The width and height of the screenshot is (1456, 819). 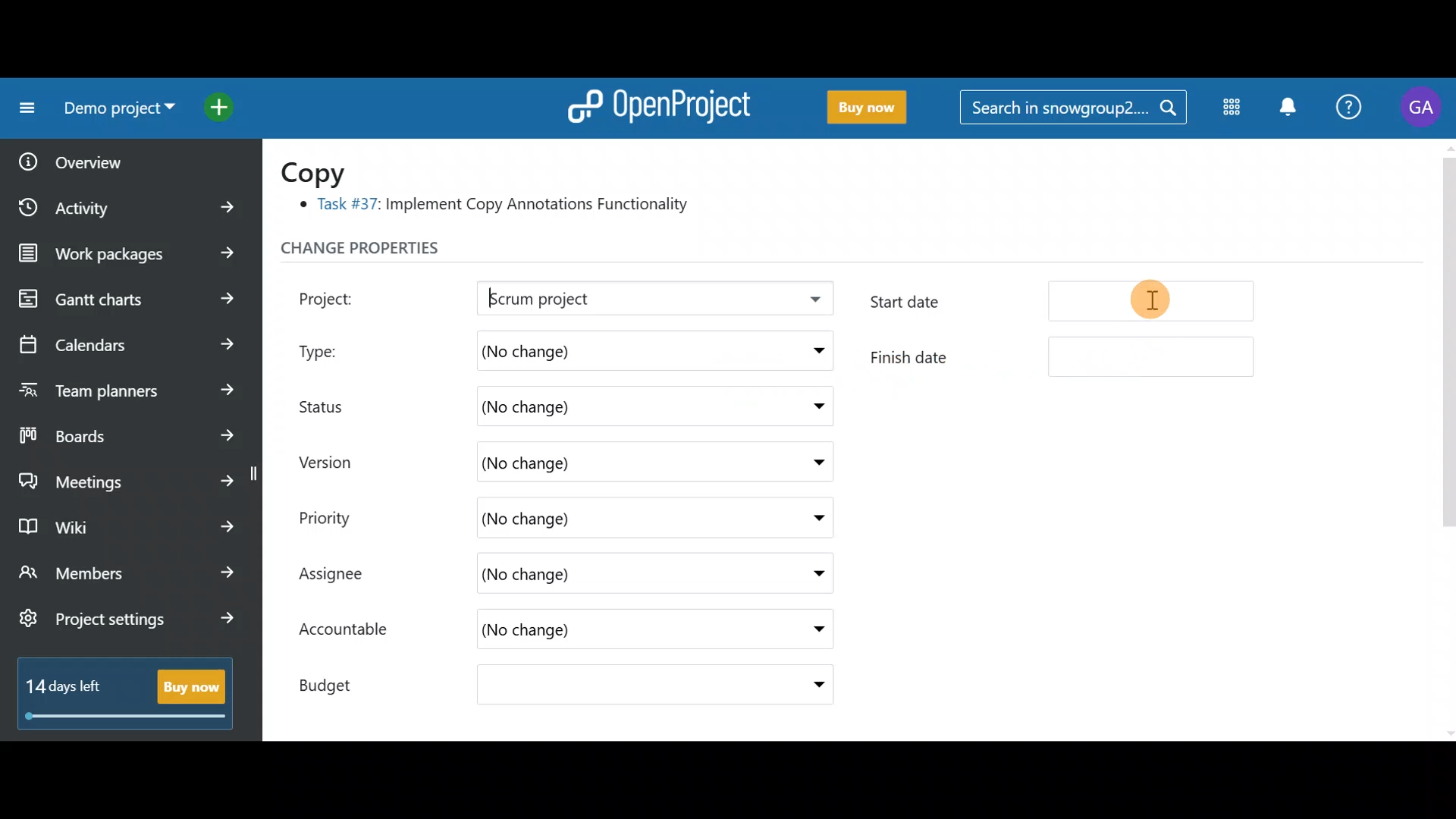 What do you see at coordinates (1154, 300) in the screenshot?
I see `Cursor` at bounding box center [1154, 300].